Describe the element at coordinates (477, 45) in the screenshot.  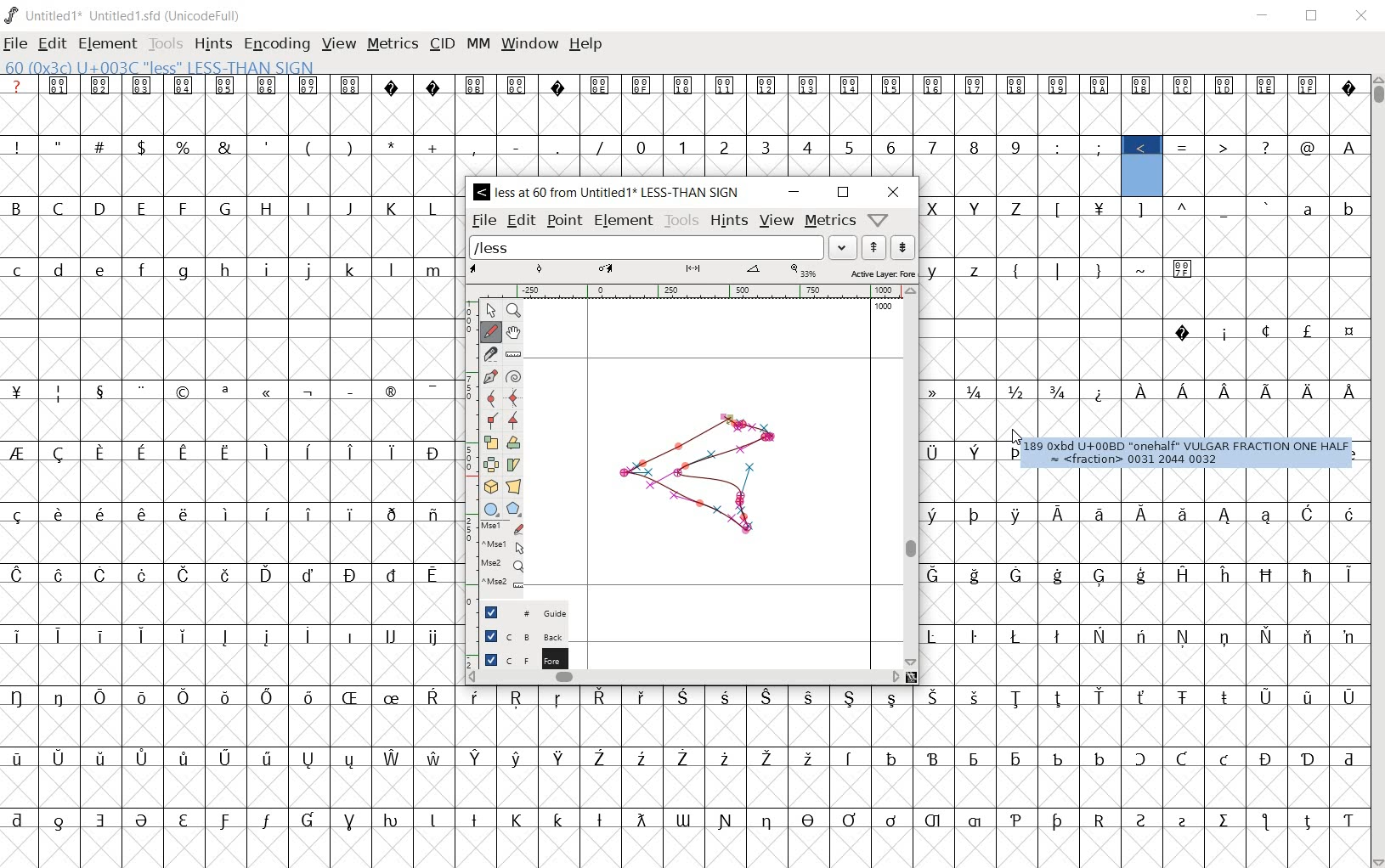
I see `mm` at that location.